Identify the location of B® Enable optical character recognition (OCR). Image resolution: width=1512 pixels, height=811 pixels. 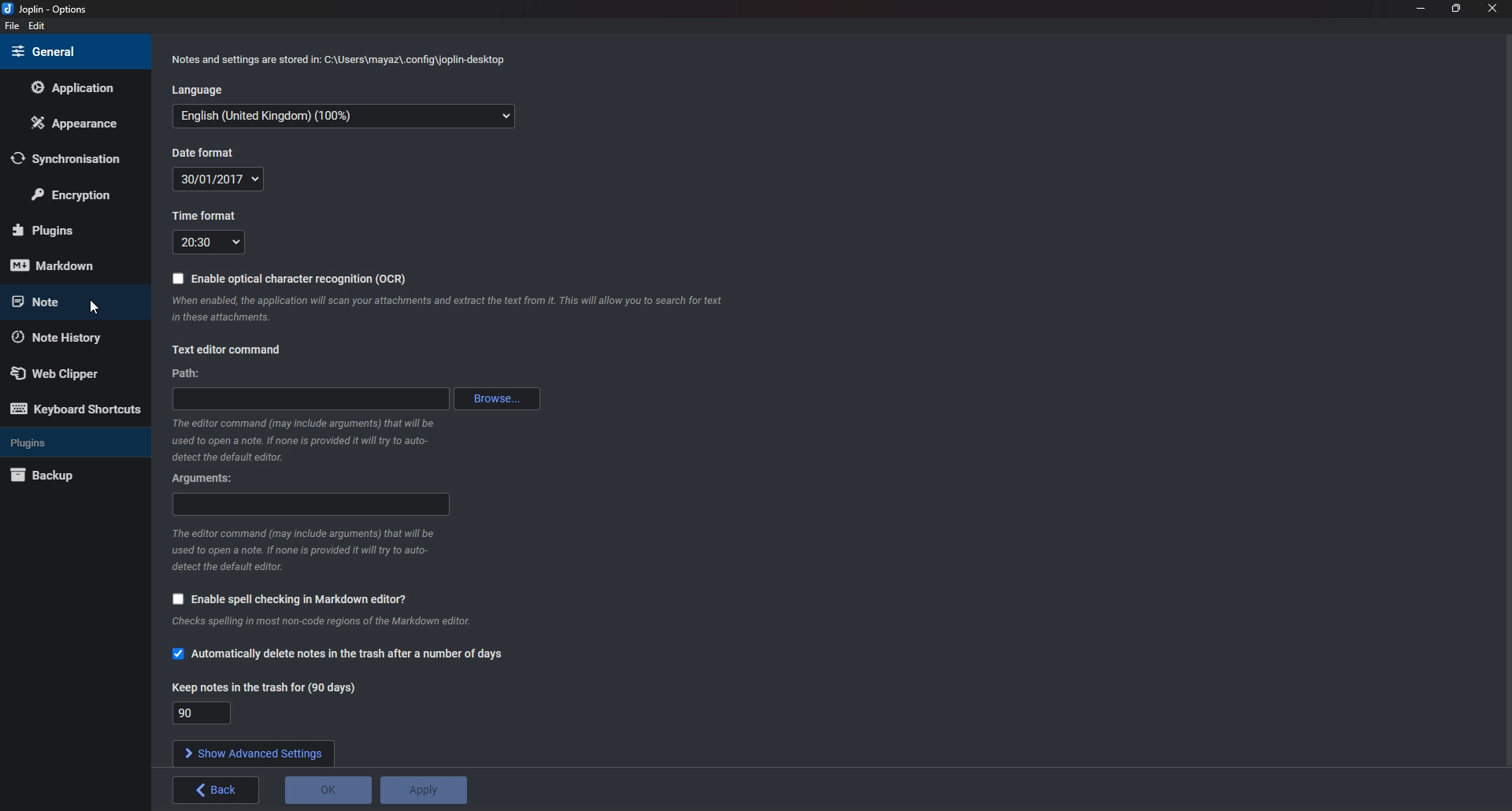
(288, 278).